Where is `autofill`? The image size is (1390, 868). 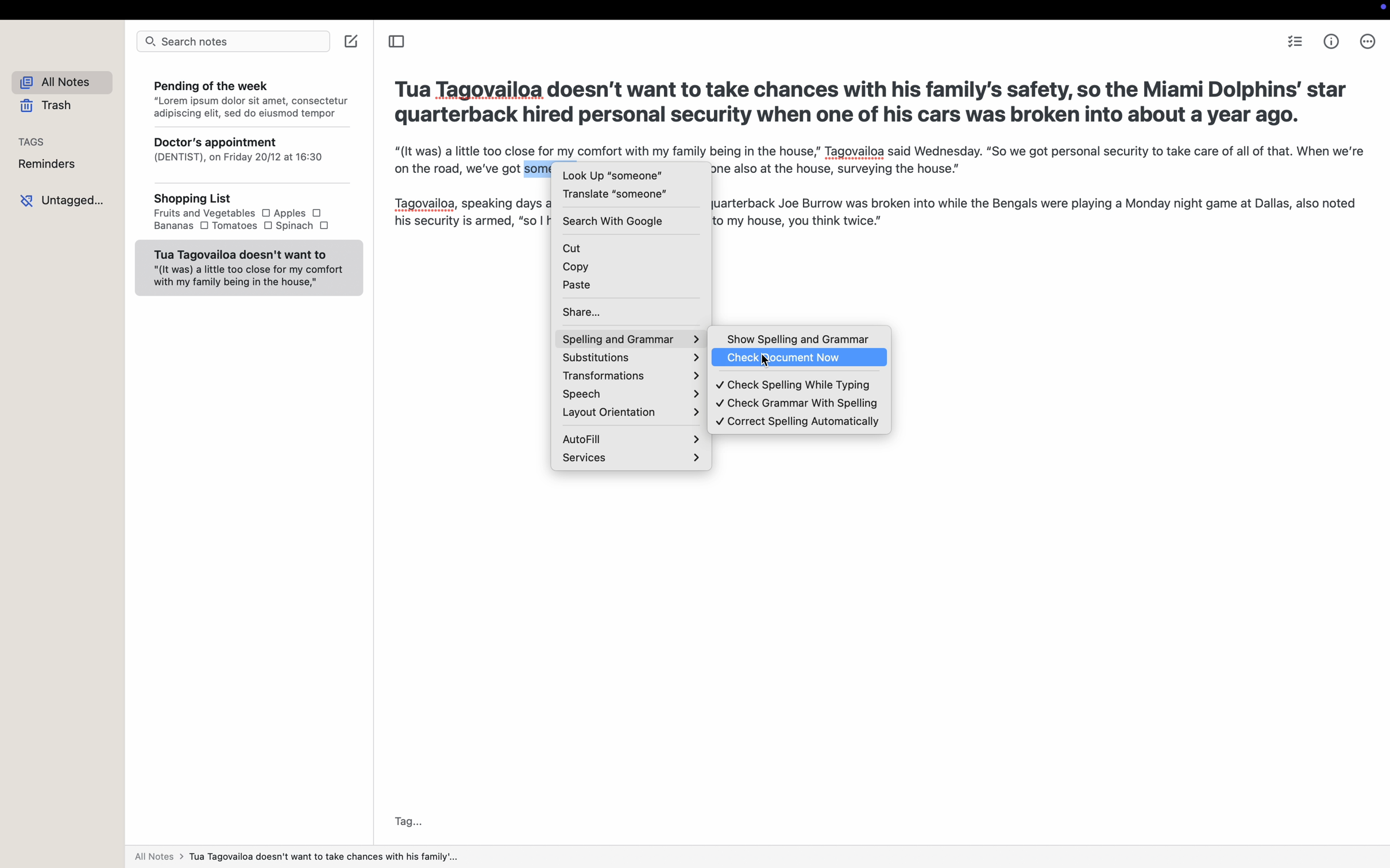
autofill is located at coordinates (631, 437).